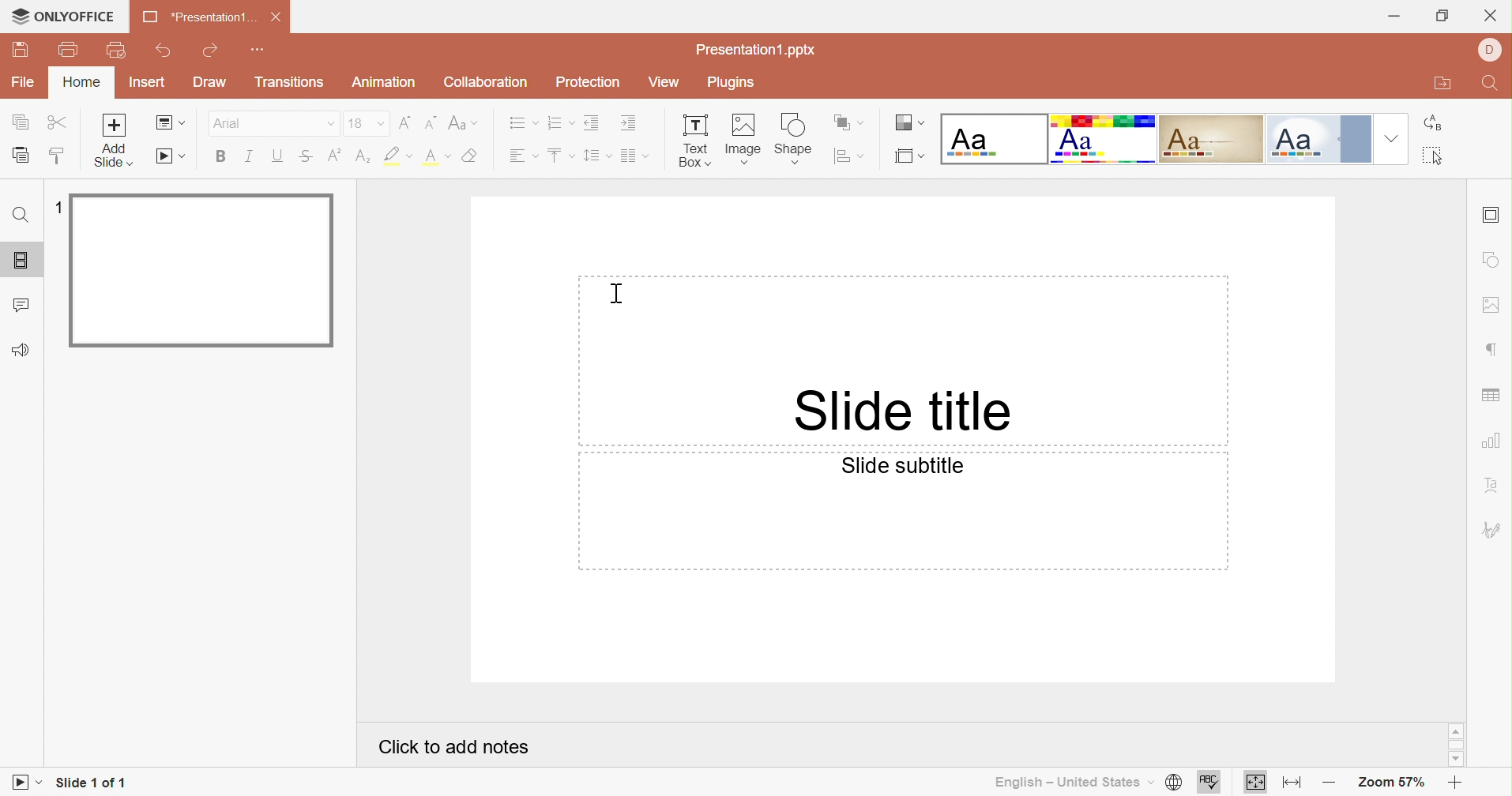 The height and width of the screenshot is (796, 1512). What do you see at coordinates (231, 124) in the screenshot?
I see `Font` at bounding box center [231, 124].